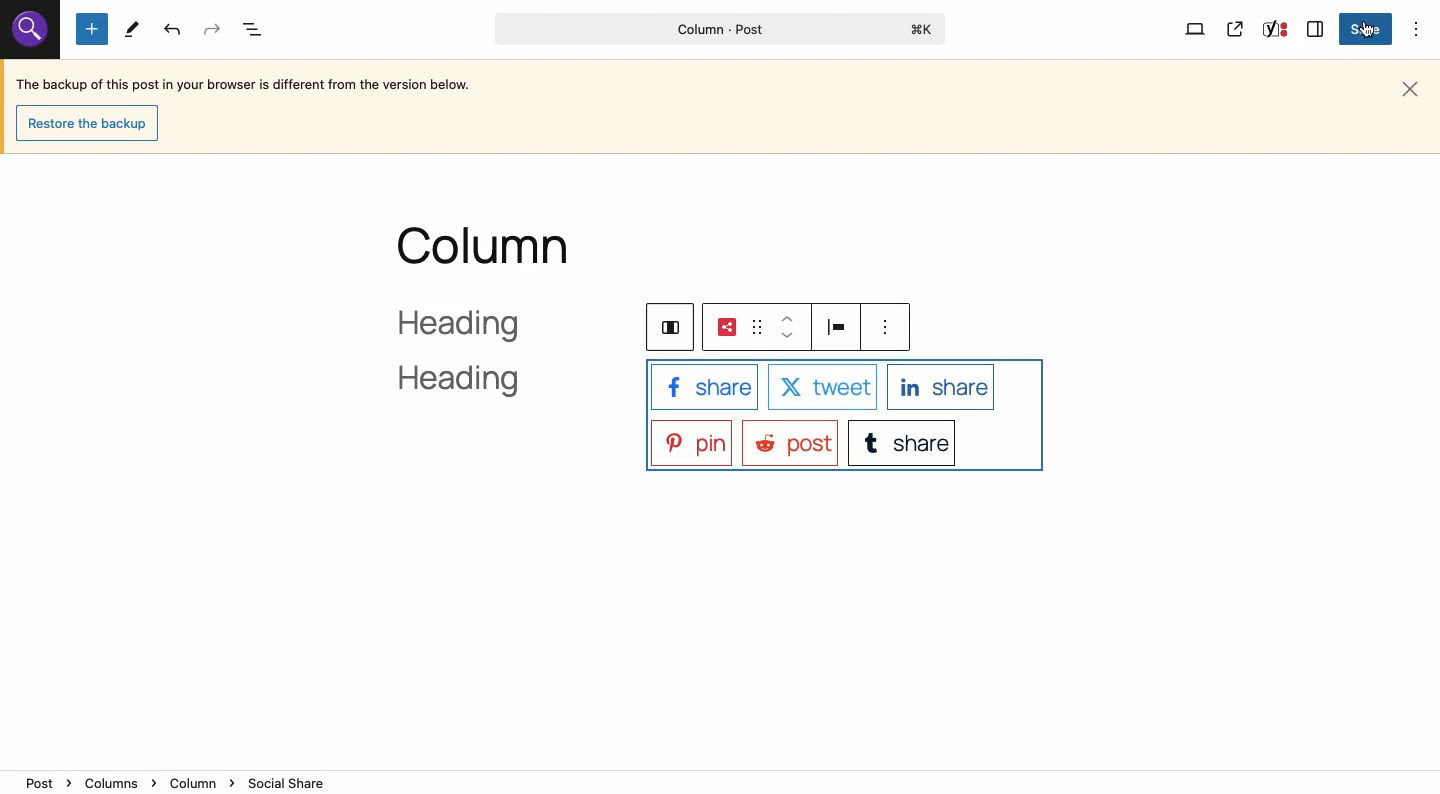 The width and height of the screenshot is (1440, 794). I want to click on heading, so click(483, 356).